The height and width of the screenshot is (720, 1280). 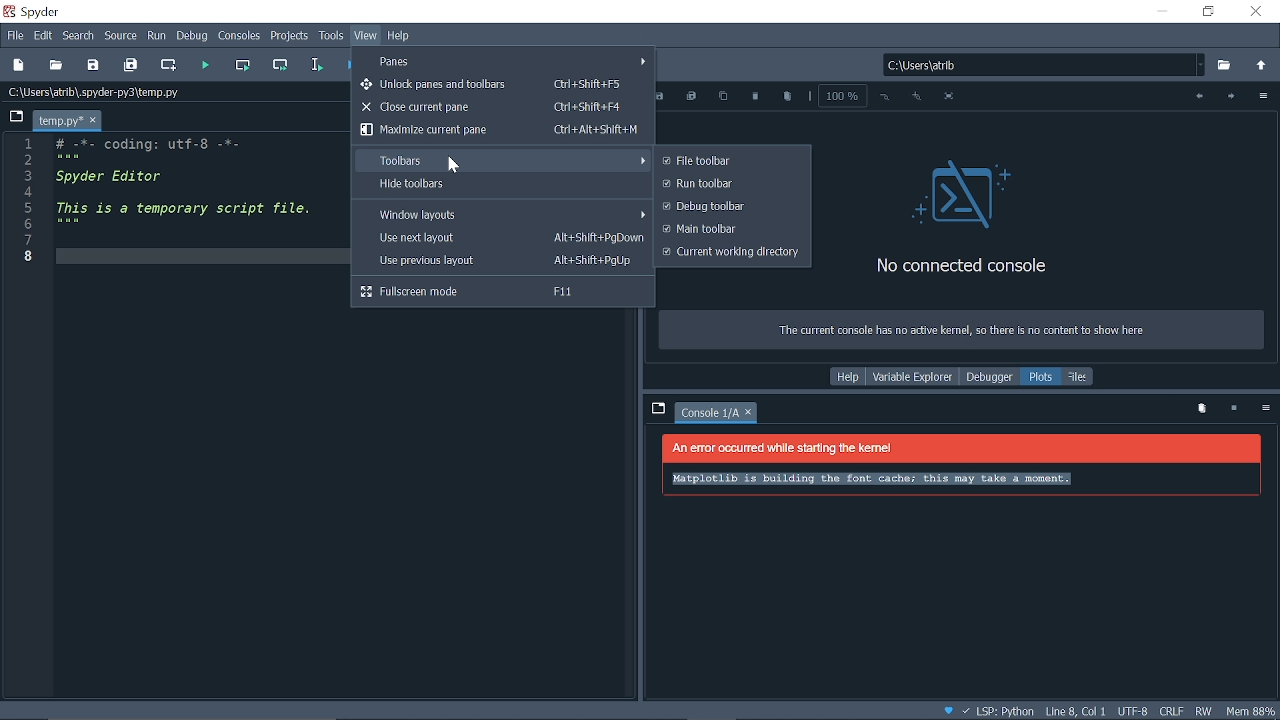 What do you see at coordinates (1202, 65) in the screenshot?
I see `Locations options` at bounding box center [1202, 65].